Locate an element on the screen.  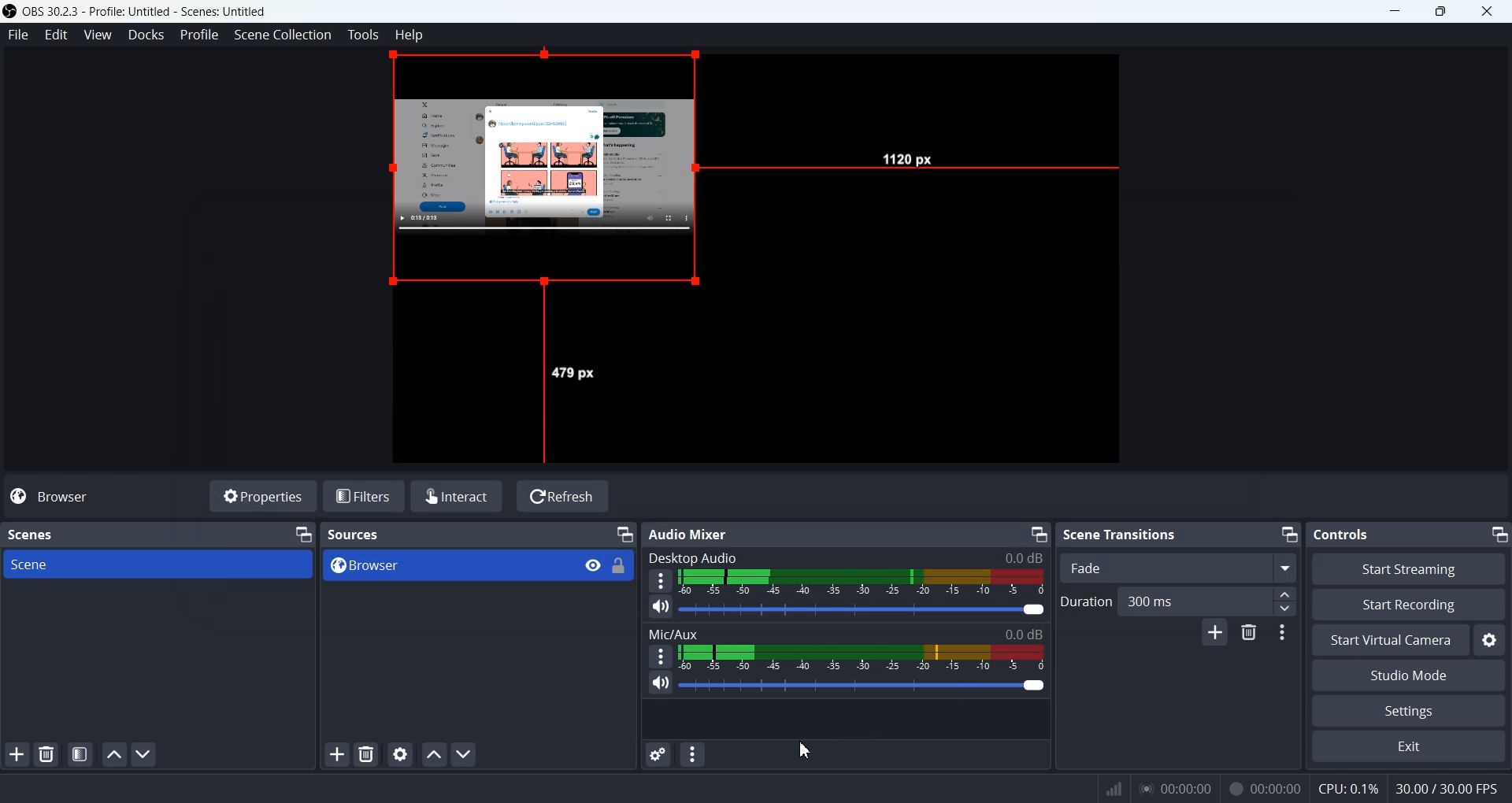
Desktop Audio 0.0 dB is located at coordinates (845, 557).